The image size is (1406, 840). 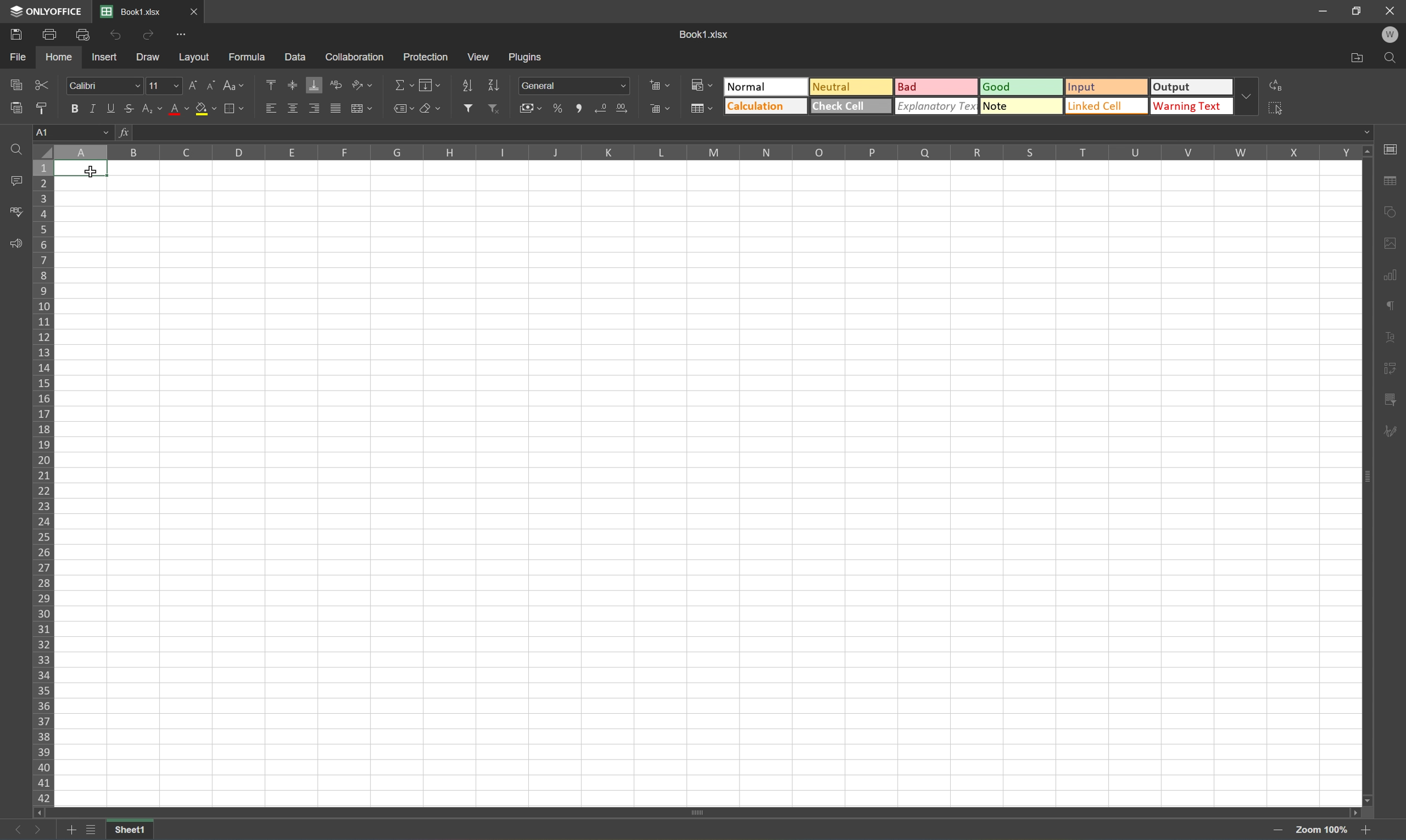 What do you see at coordinates (362, 111) in the screenshot?
I see `Merge and  center` at bounding box center [362, 111].